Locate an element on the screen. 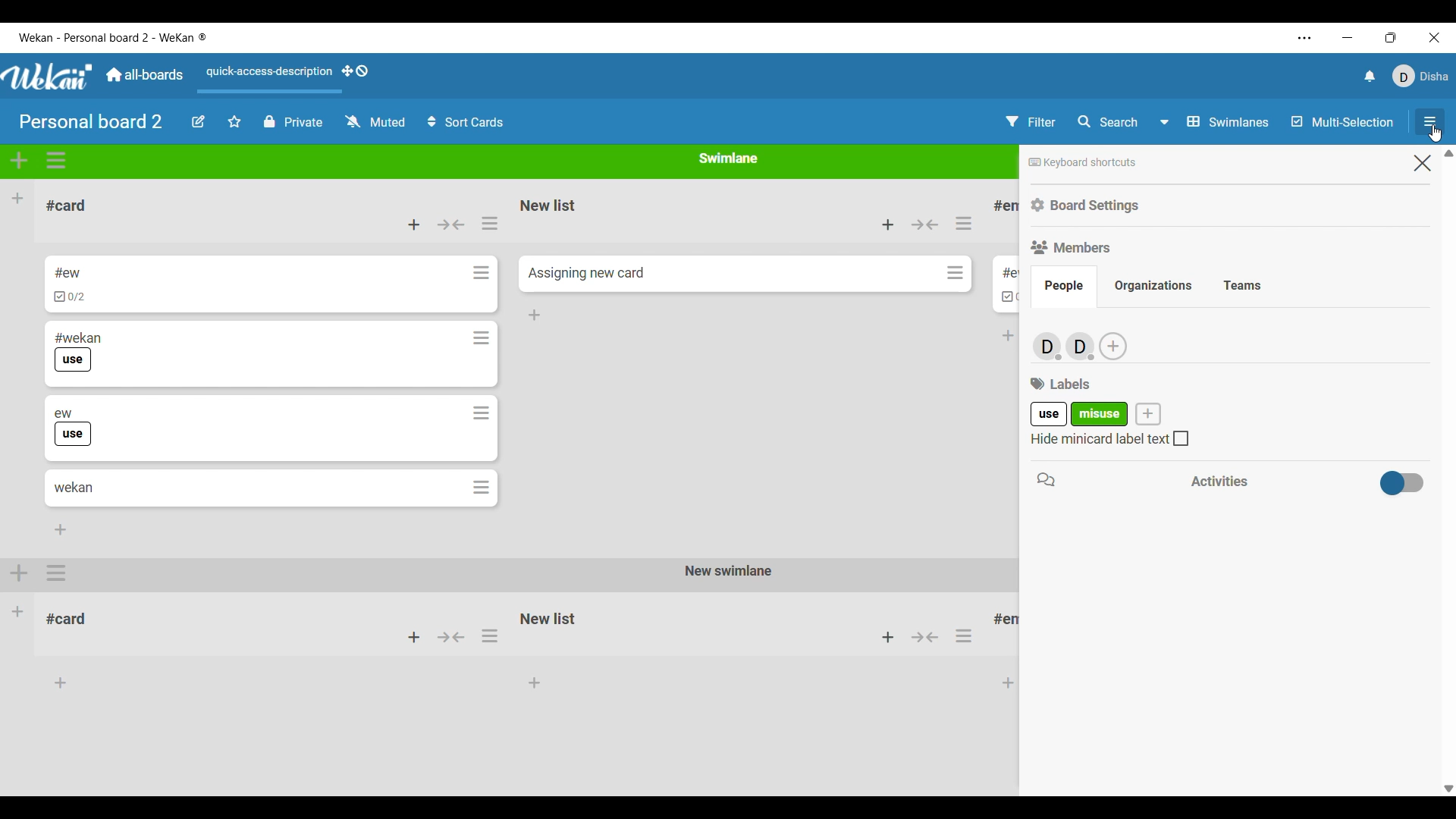 This screenshot has height=819, width=1456. List actions is located at coordinates (964, 223).